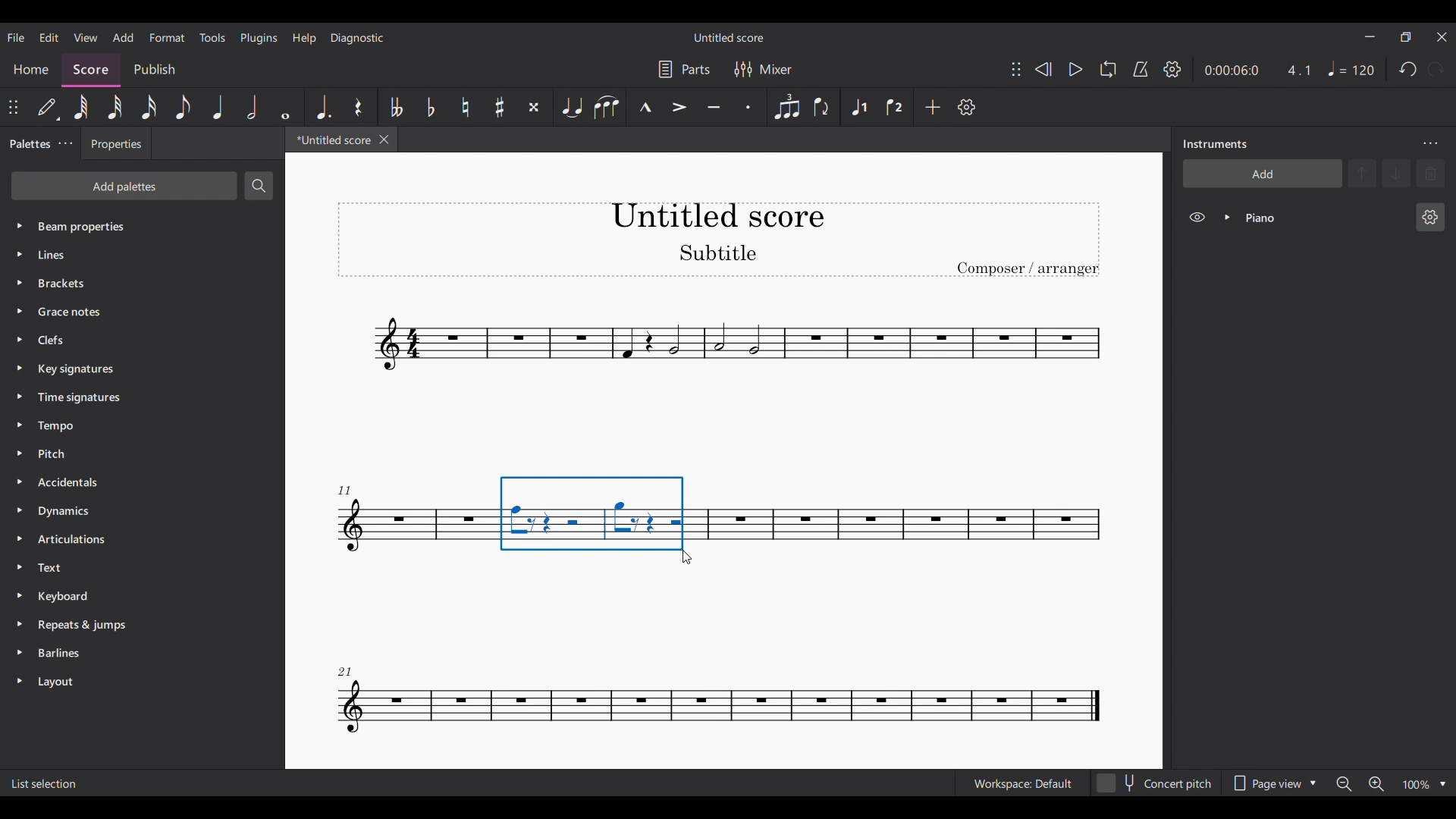 This screenshot has width=1456, height=819. Describe the element at coordinates (1442, 37) in the screenshot. I see `Close interface` at that location.